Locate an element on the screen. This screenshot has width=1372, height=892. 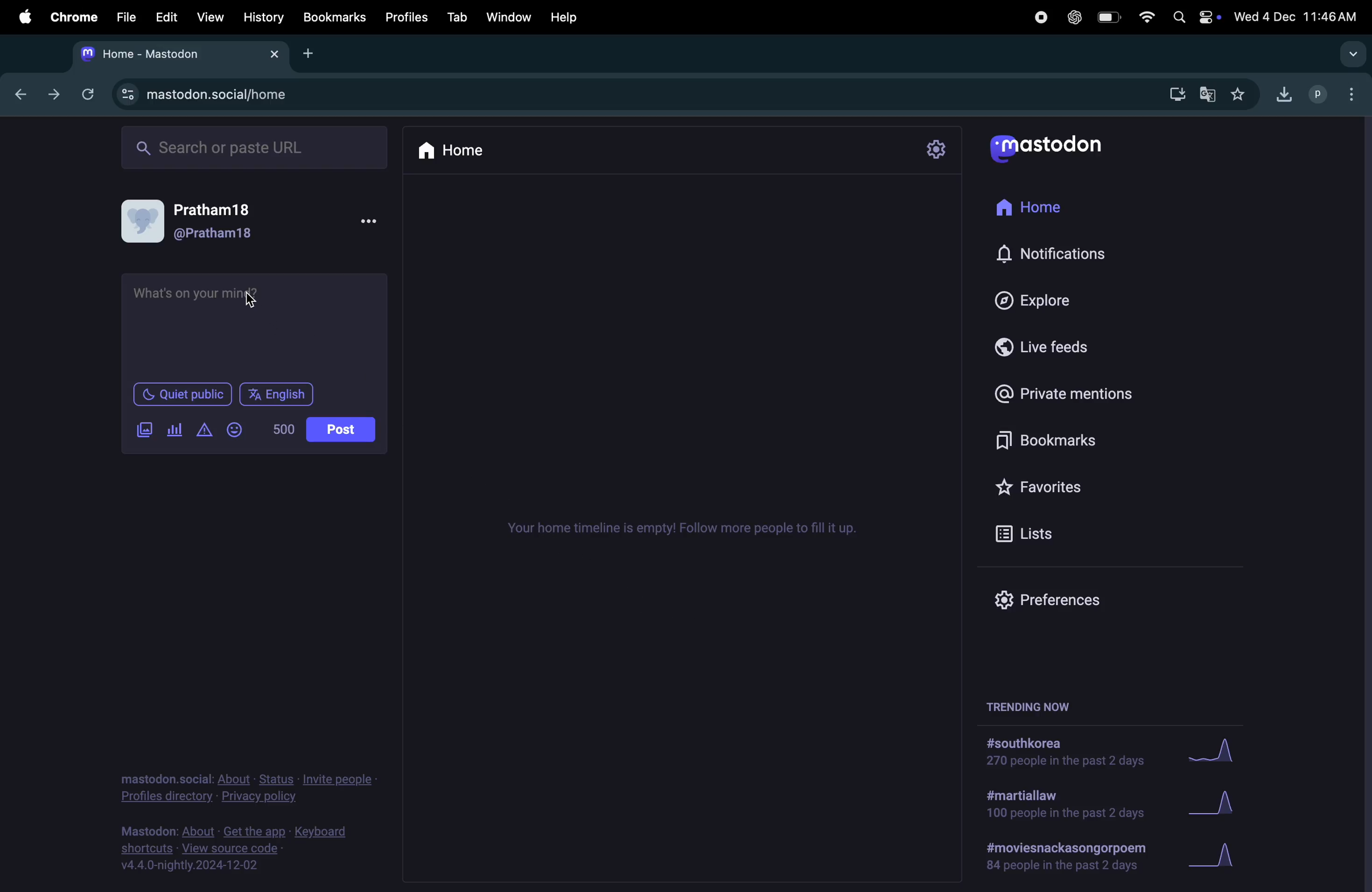
Bookmark is located at coordinates (334, 18).